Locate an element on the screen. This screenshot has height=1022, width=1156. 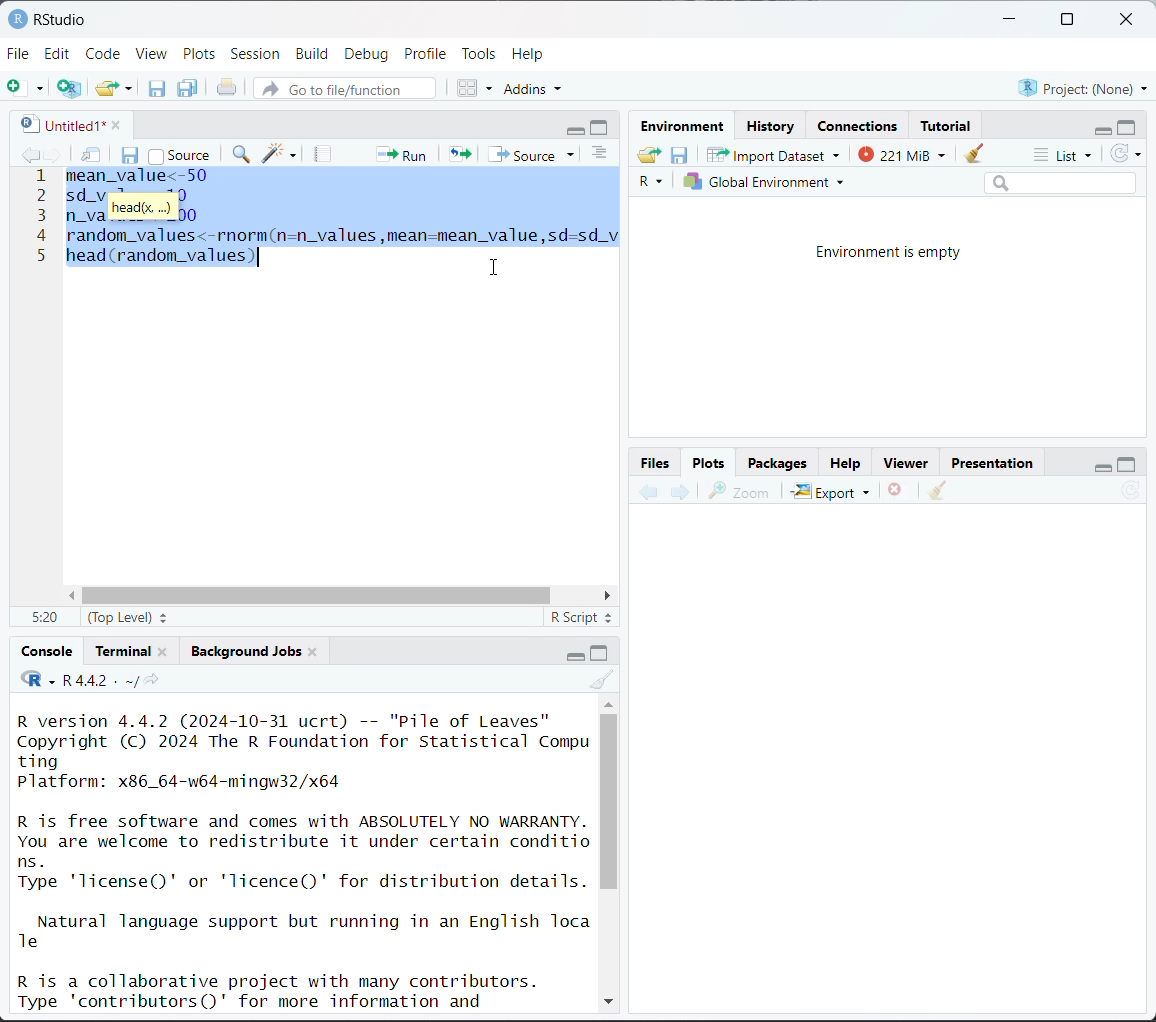
 221 MiB is located at coordinates (899, 152).